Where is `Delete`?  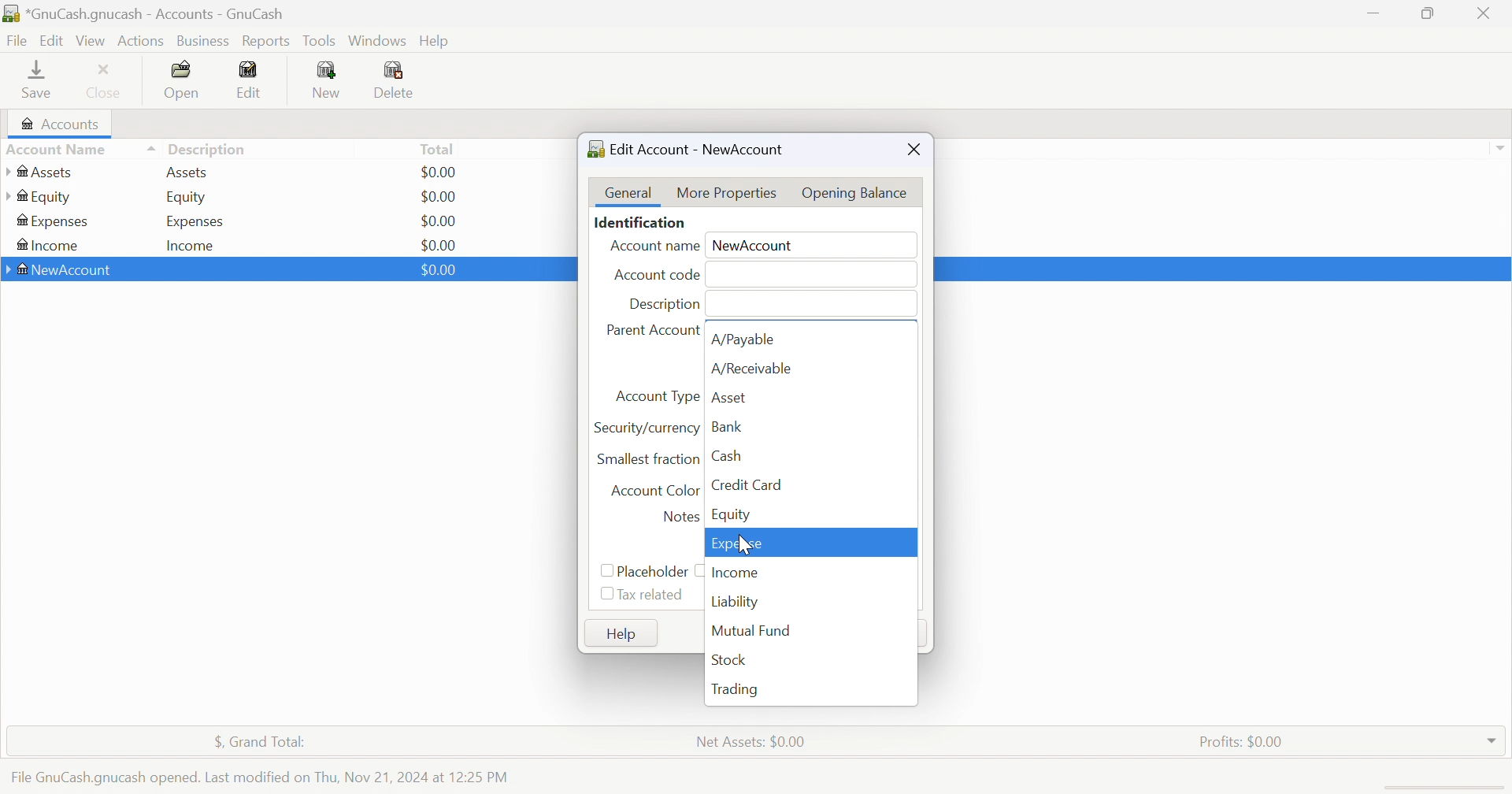 Delete is located at coordinates (398, 82).